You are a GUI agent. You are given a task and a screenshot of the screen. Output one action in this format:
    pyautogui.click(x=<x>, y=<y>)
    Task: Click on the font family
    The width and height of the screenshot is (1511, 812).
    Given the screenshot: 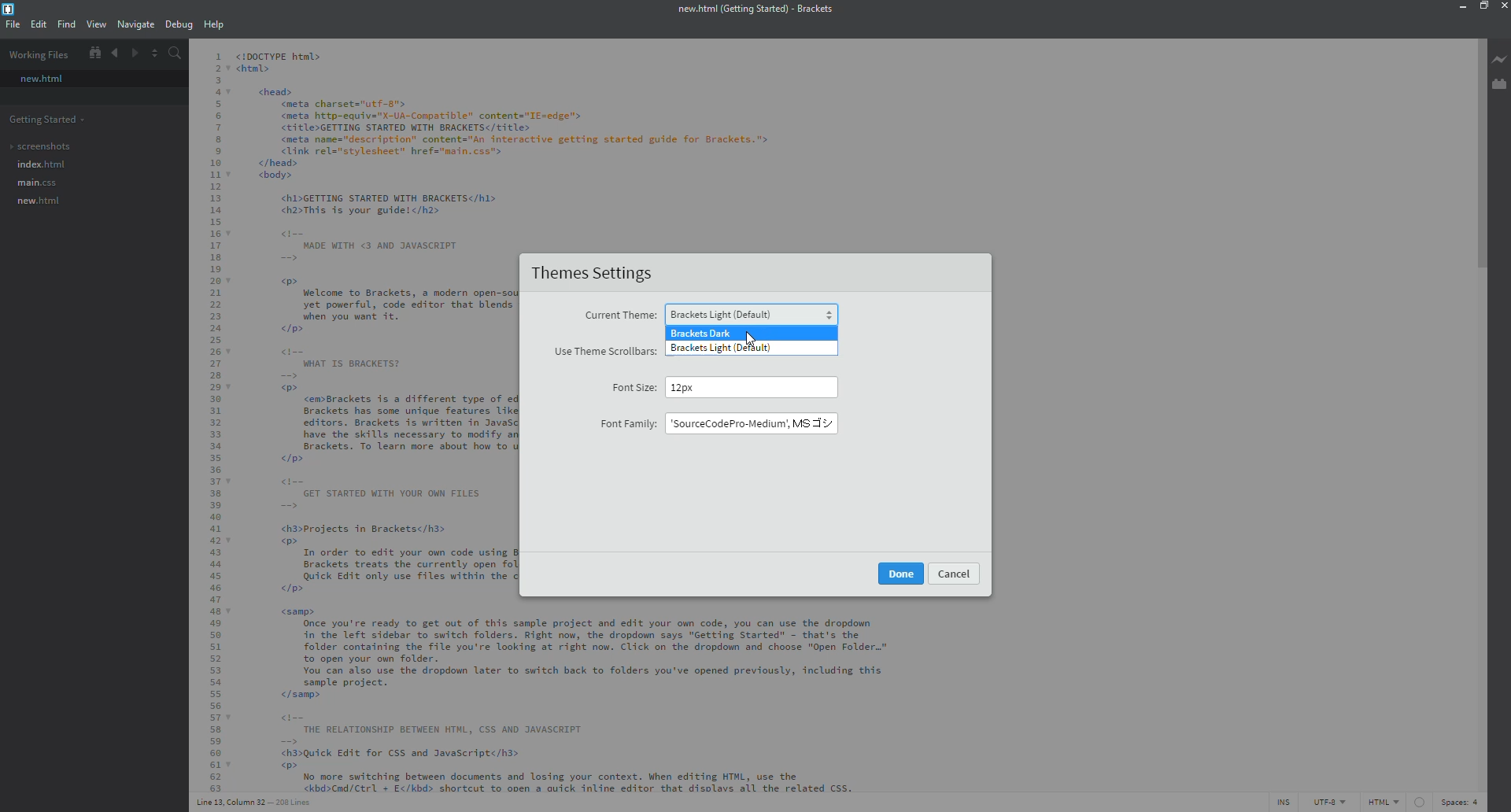 What is the action you would take?
    pyautogui.click(x=627, y=423)
    